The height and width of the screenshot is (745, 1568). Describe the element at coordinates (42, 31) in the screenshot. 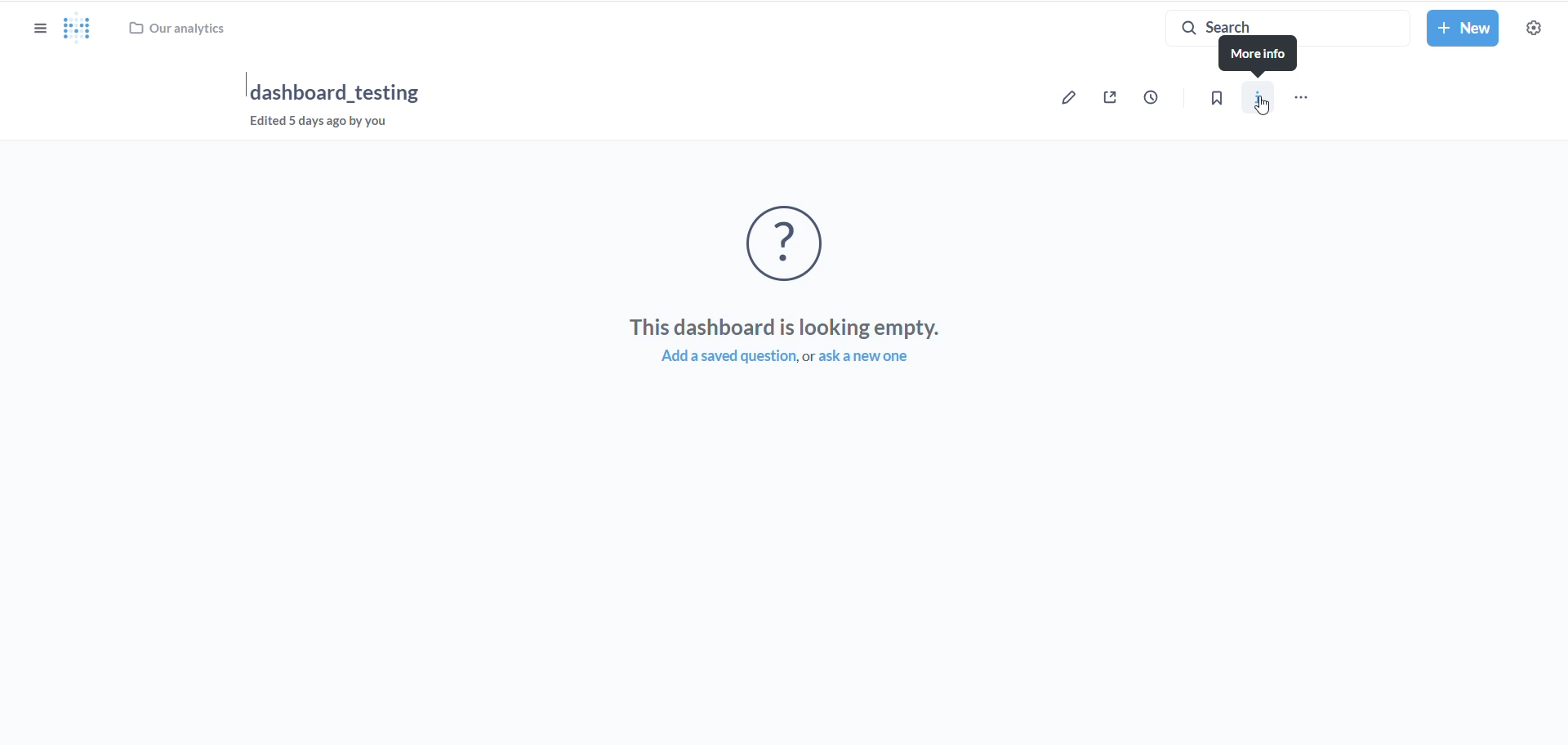

I see `show/hide sidebar` at that location.